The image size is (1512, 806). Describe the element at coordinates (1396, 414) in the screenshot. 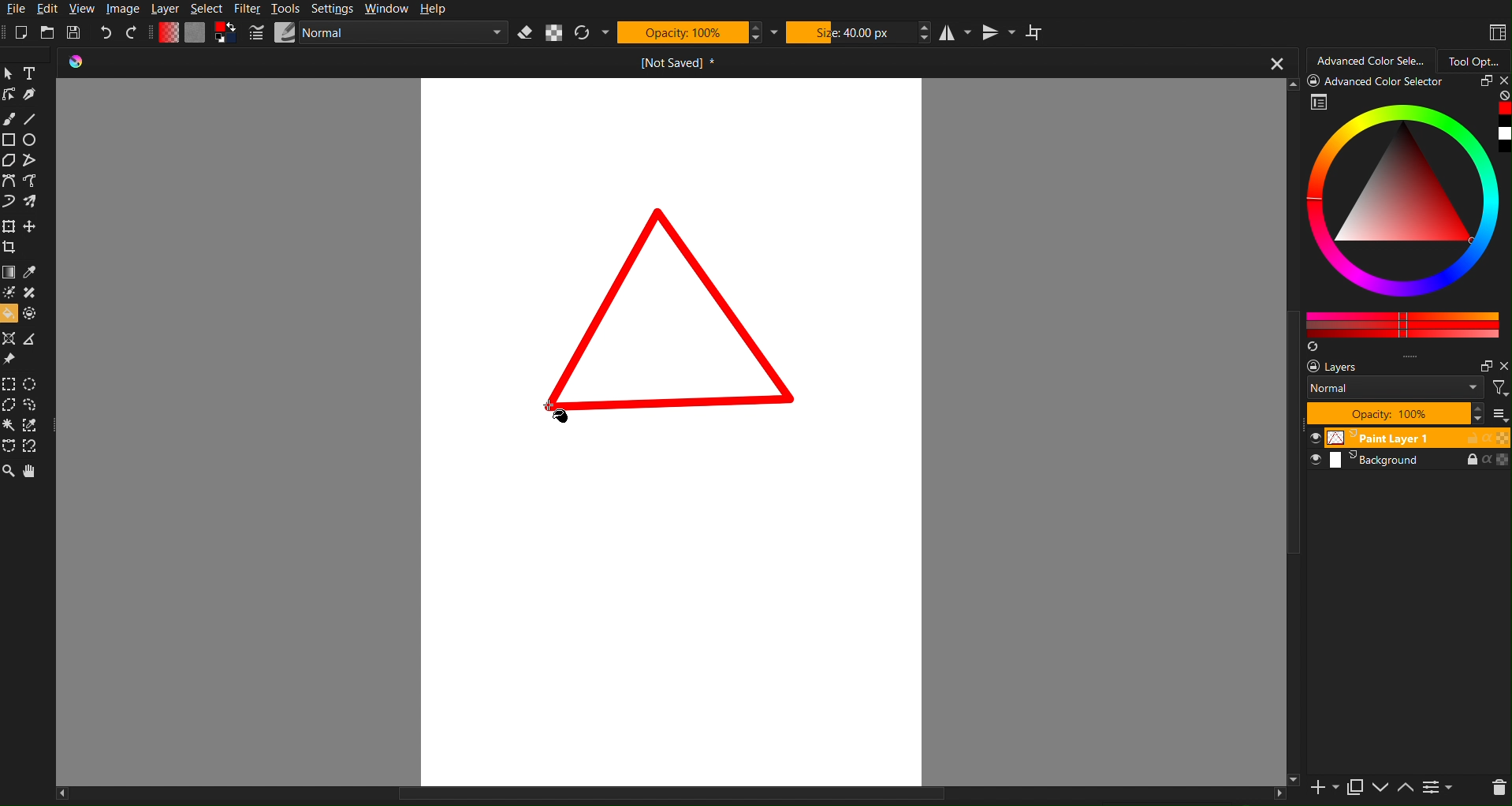

I see `opacity: 100%` at that location.